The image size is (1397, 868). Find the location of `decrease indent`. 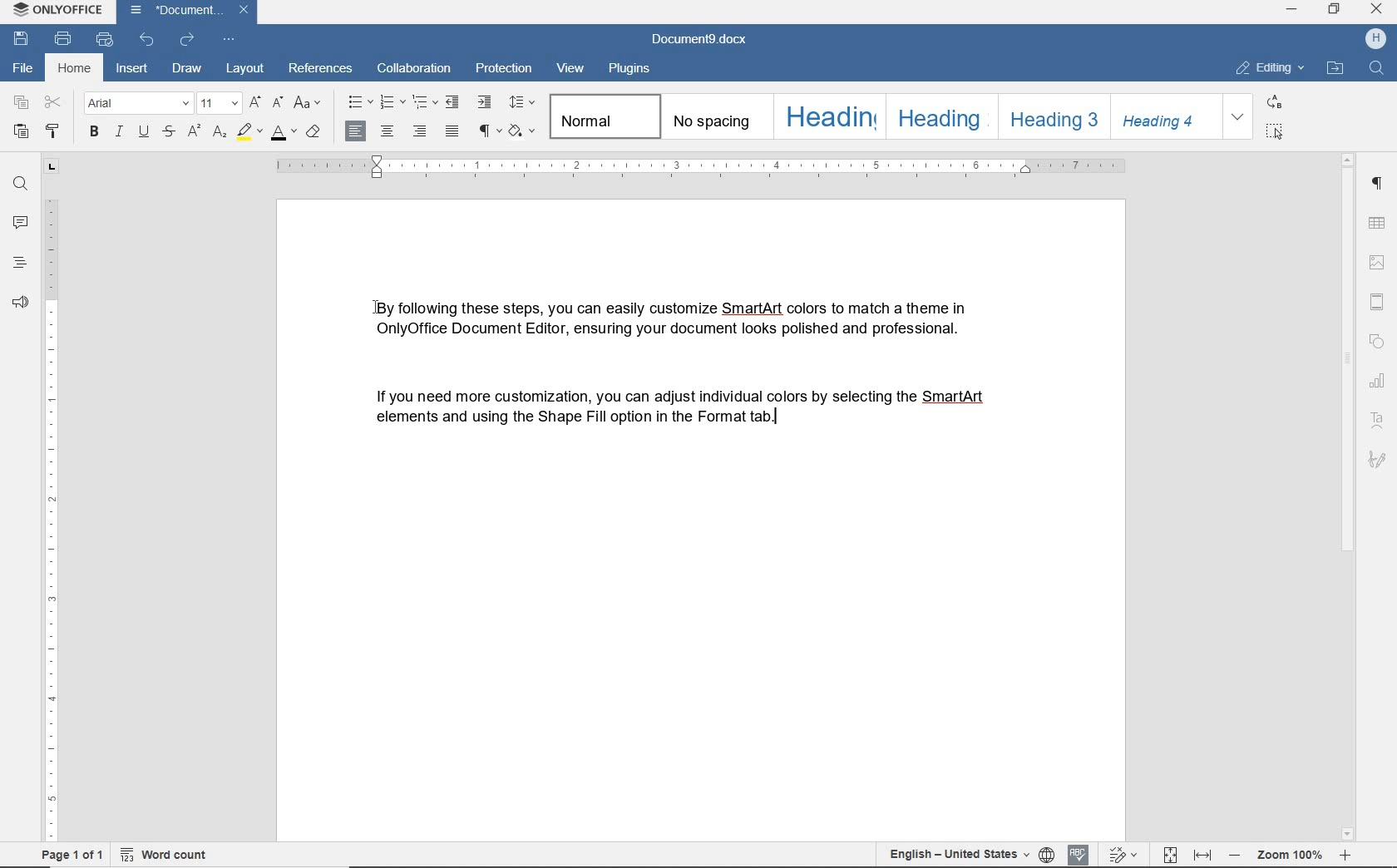

decrease indent is located at coordinates (453, 101).